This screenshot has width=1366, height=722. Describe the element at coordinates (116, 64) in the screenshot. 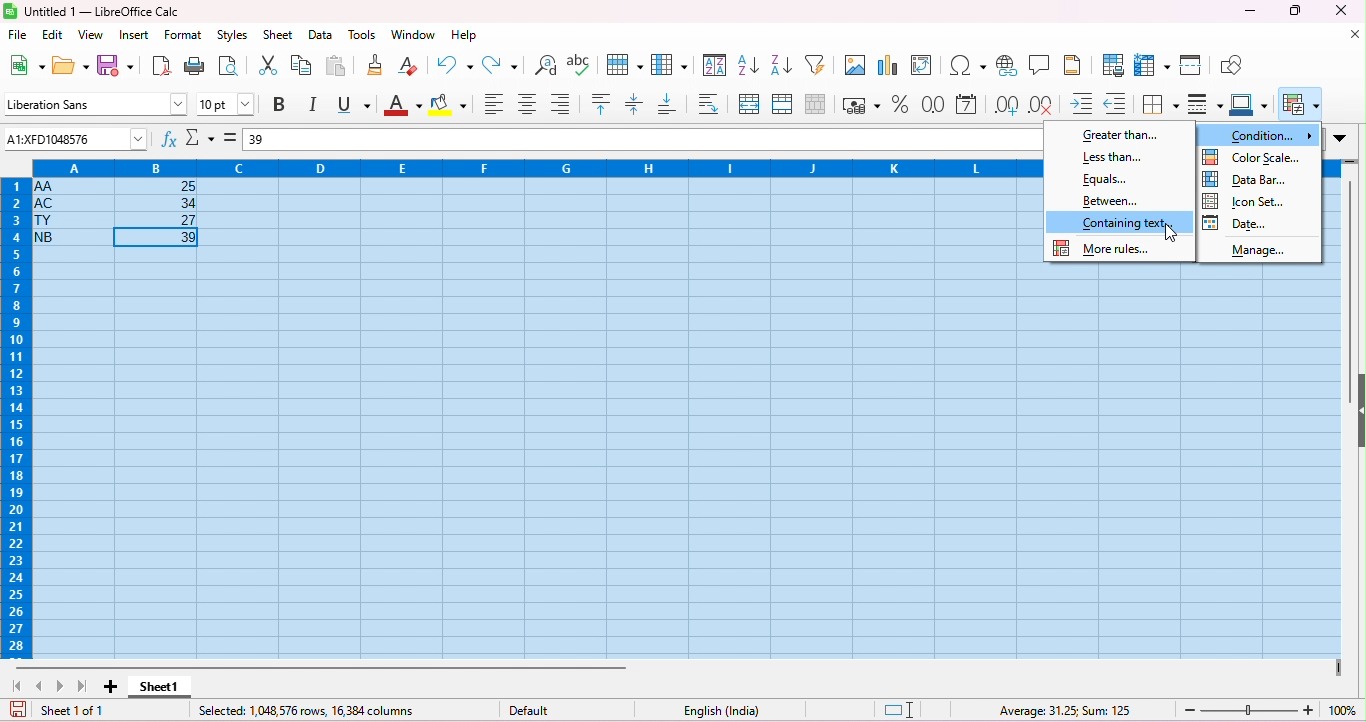

I see `save` at that location.